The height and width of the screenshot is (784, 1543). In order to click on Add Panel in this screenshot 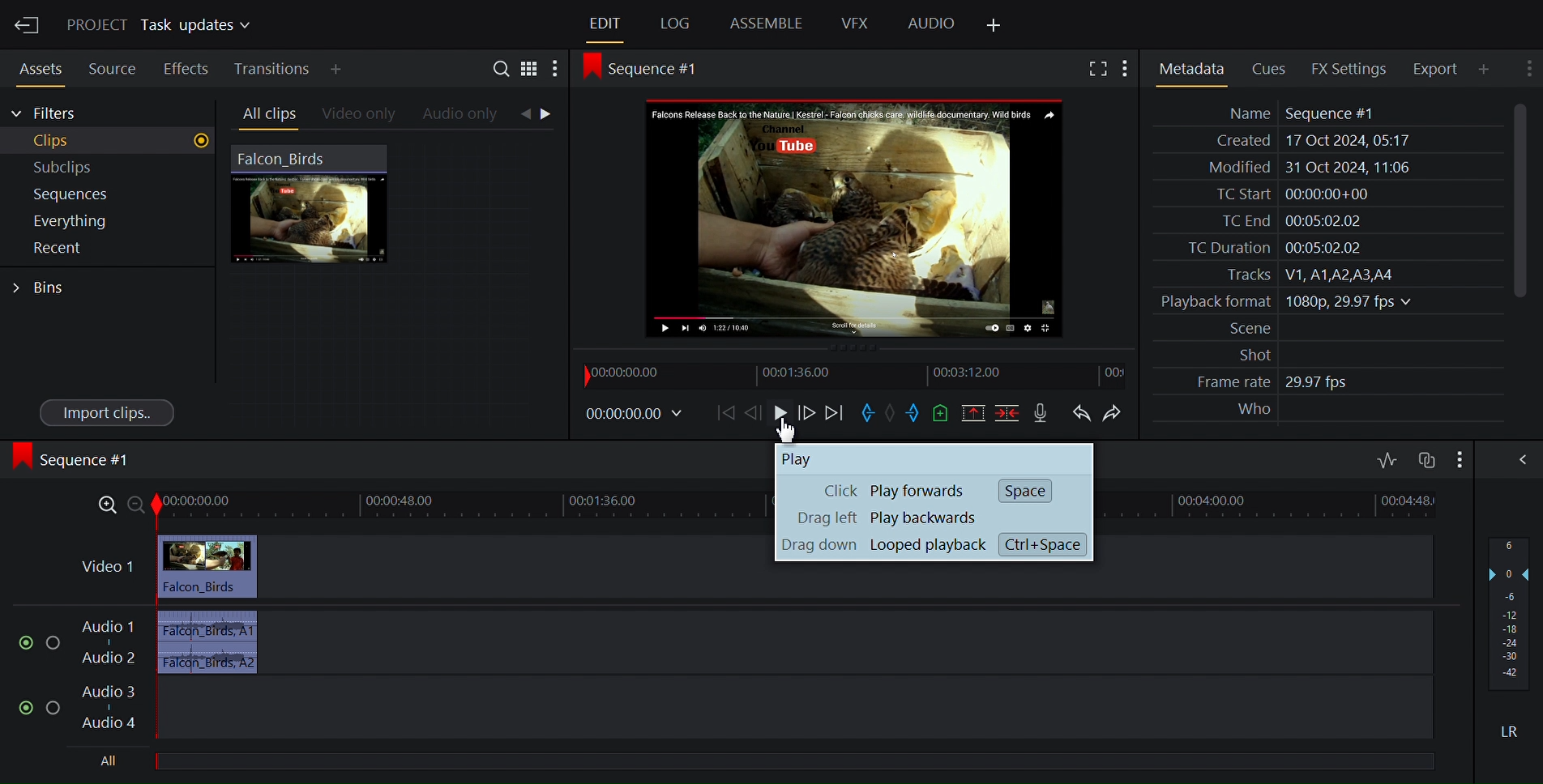, I will do `click(998, 23)`.